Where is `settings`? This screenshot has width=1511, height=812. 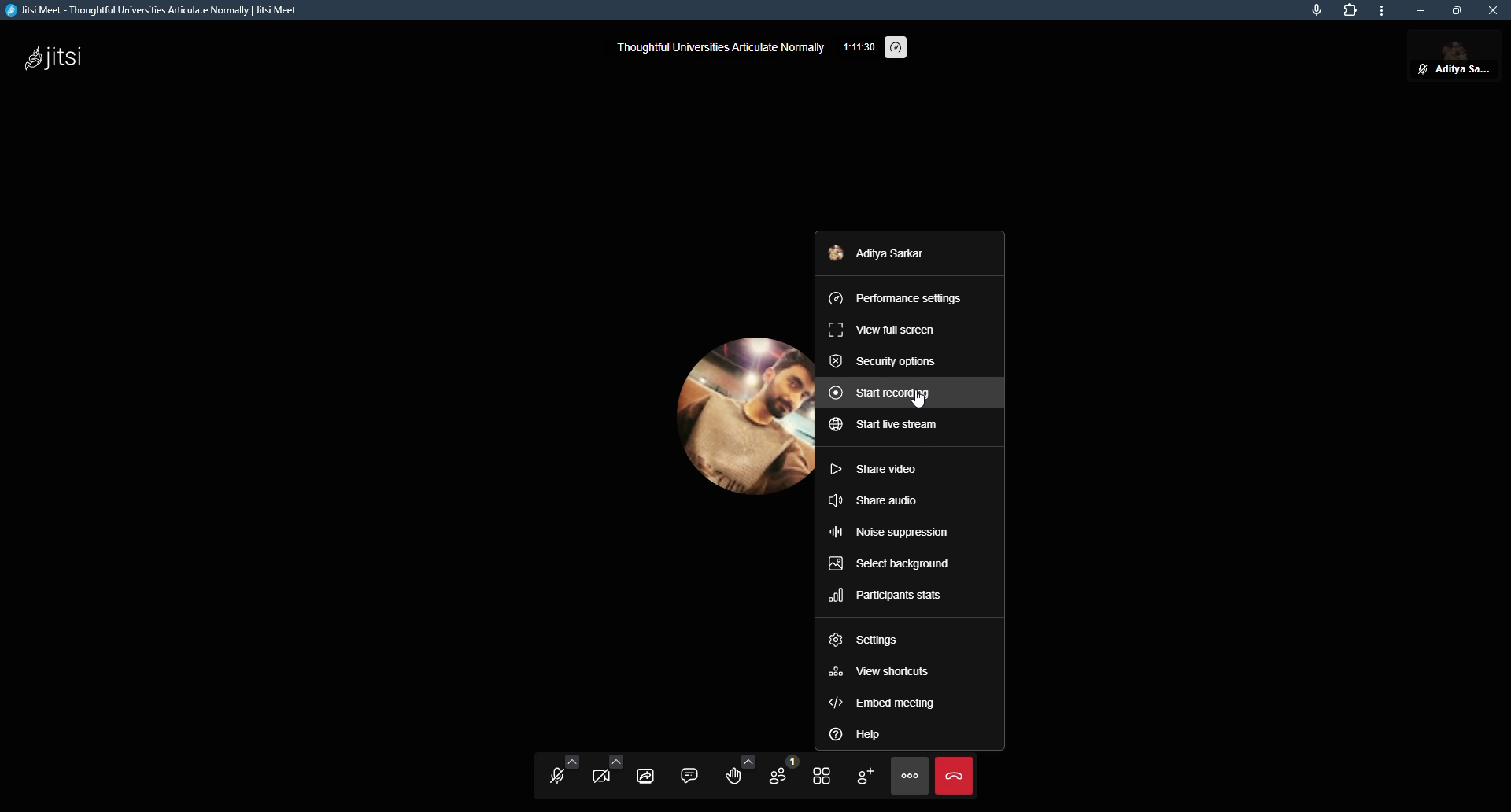
settings is located at coordinates (869, 637).